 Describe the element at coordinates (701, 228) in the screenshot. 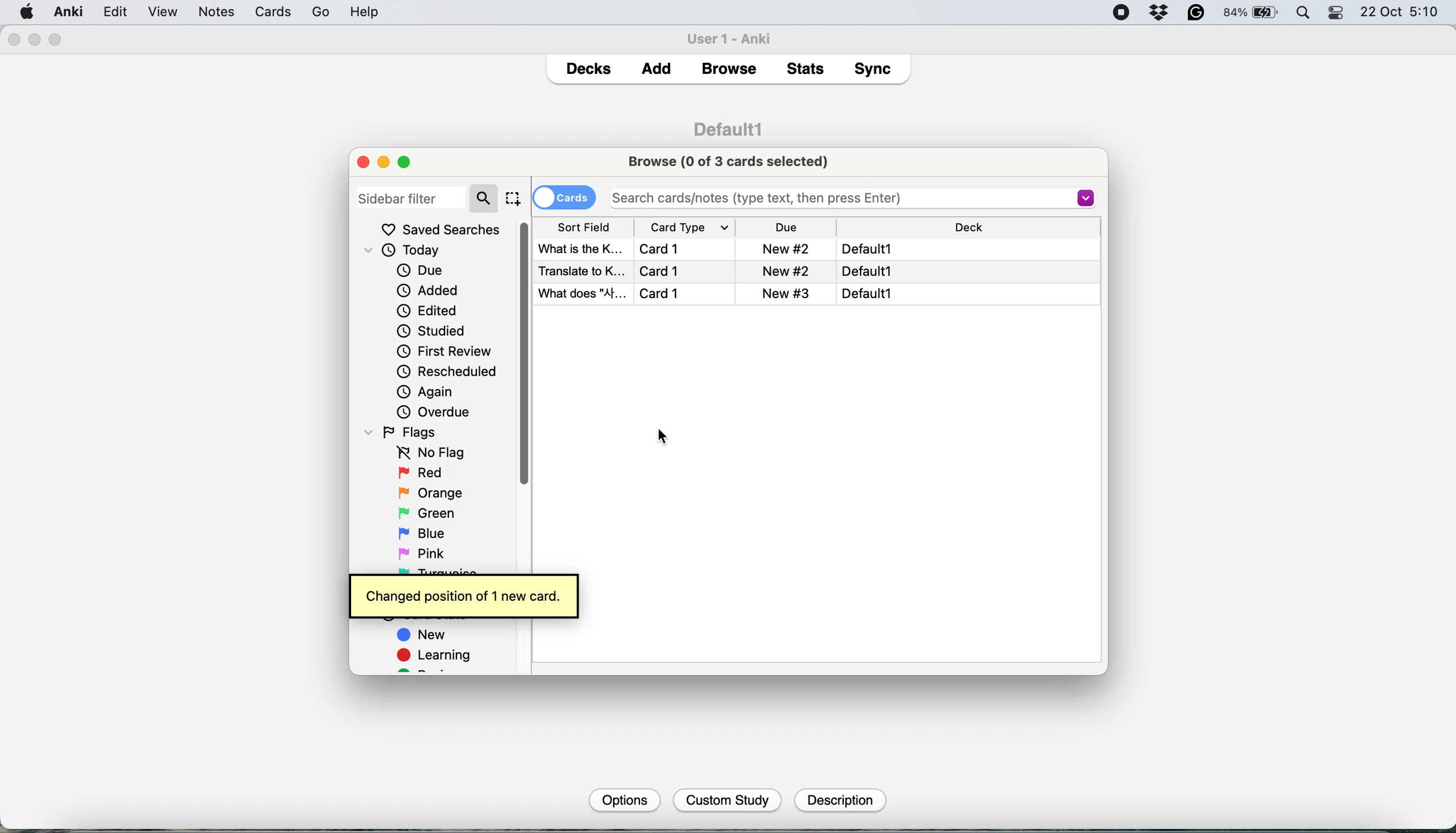

I see `Card Type` at that location.